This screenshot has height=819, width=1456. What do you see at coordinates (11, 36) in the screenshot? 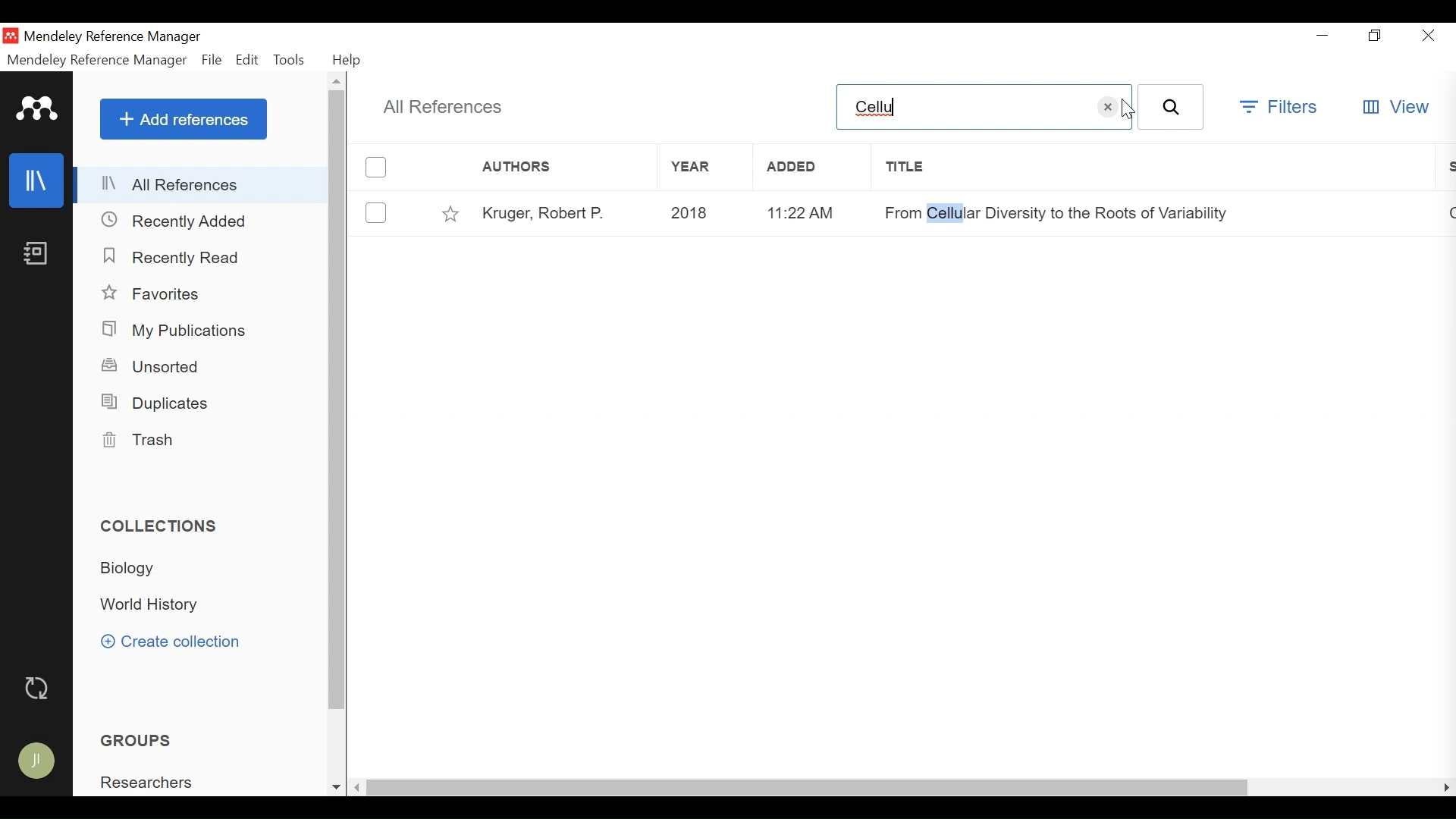
I see `Mendeley Desktop Icon` at bounding box center [11, 36].